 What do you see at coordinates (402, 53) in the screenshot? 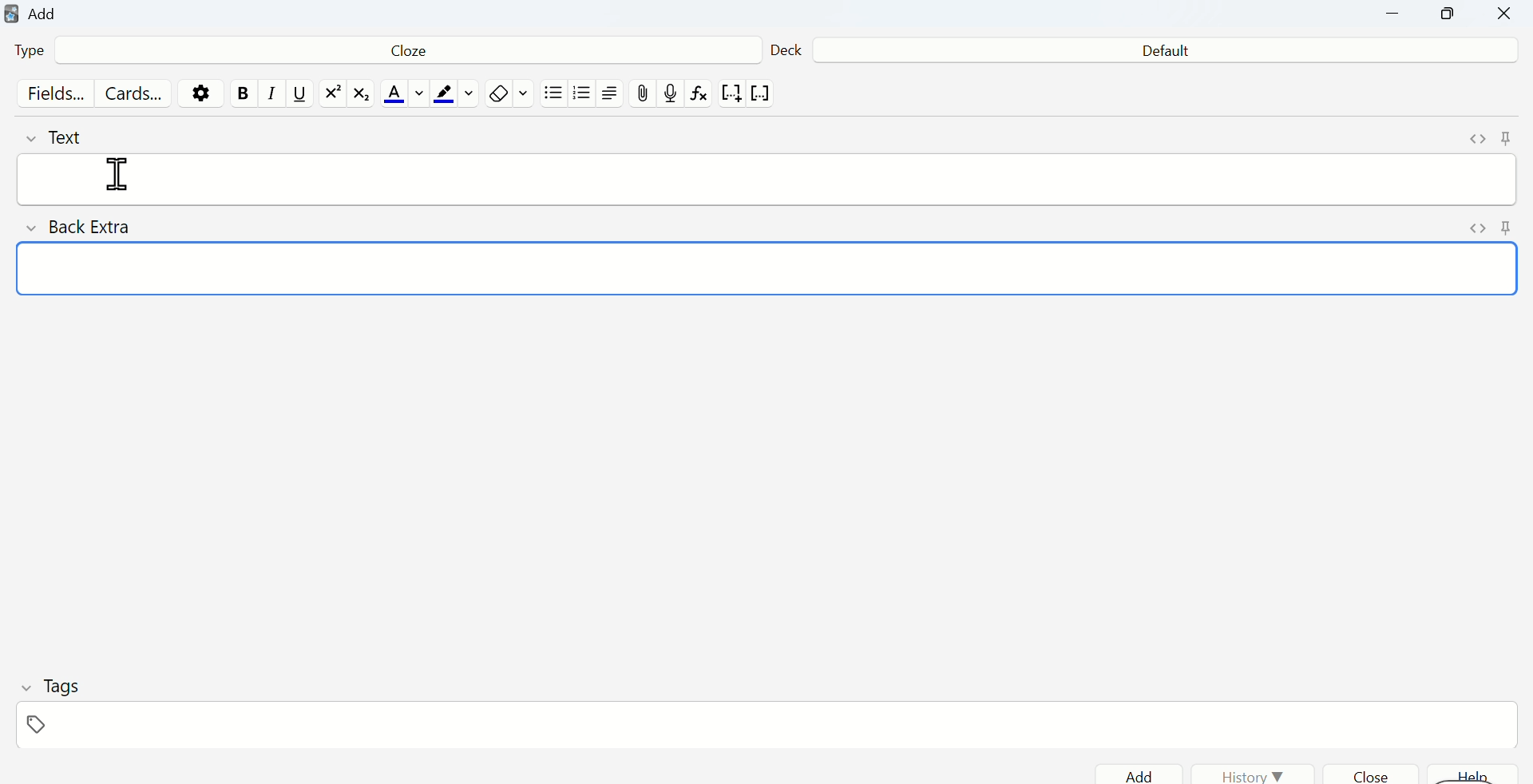
I see `Cloze` at bounding box center [402, 53].